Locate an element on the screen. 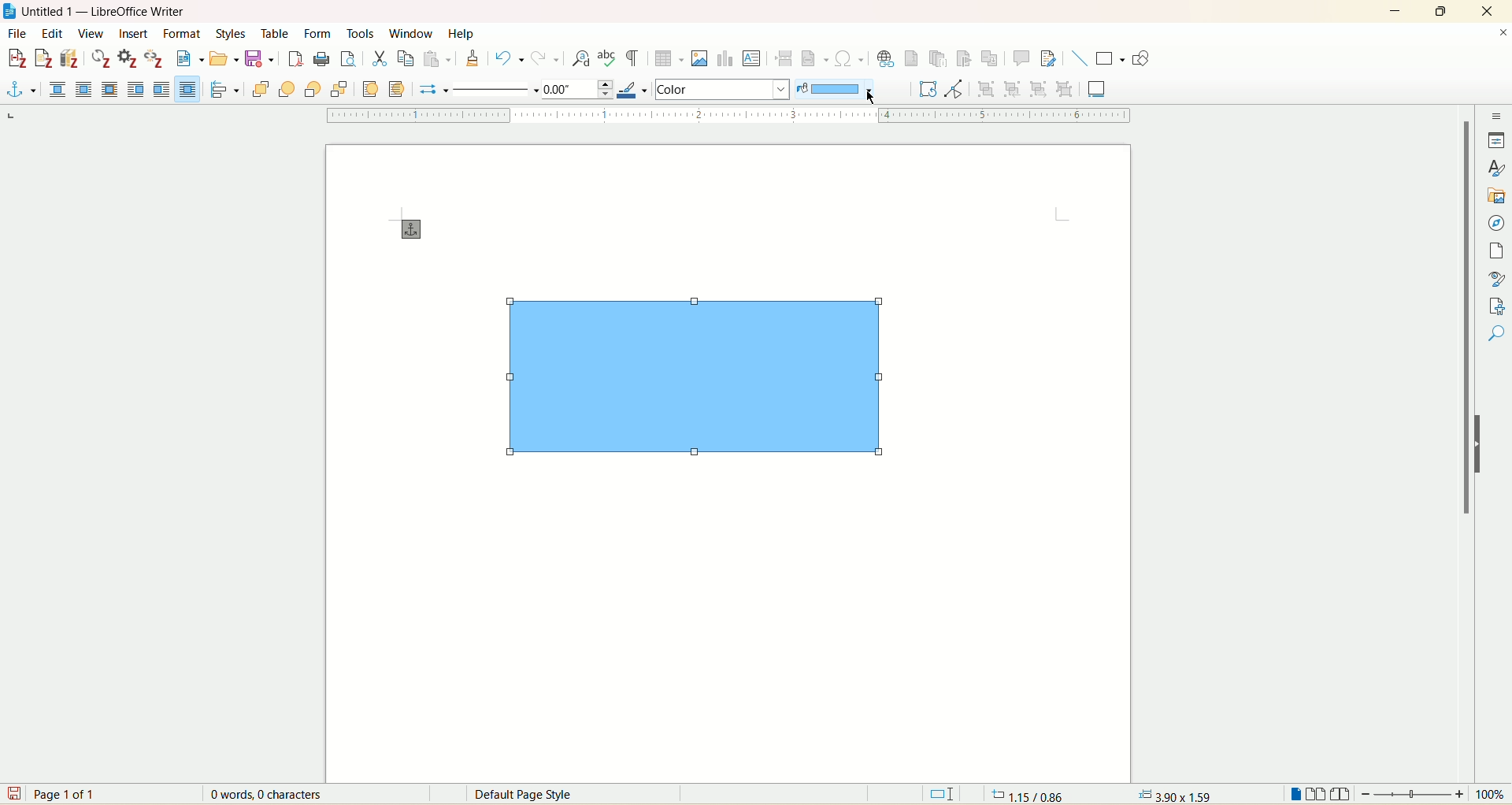  tools is located at coordinates (361, 33).